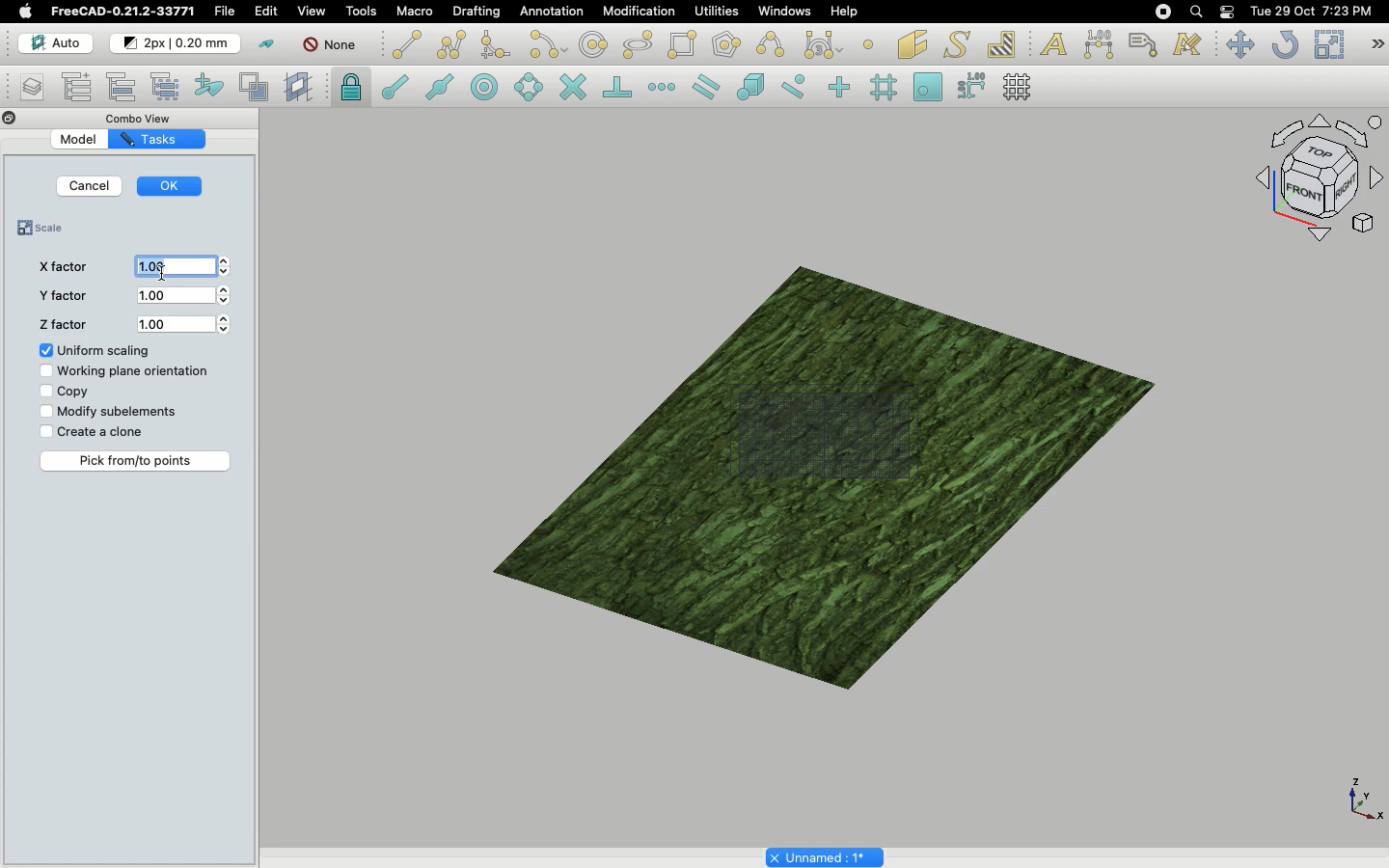 This screenshot has width=1389, height=868. I want to click on Snap near, so click(793, 88).